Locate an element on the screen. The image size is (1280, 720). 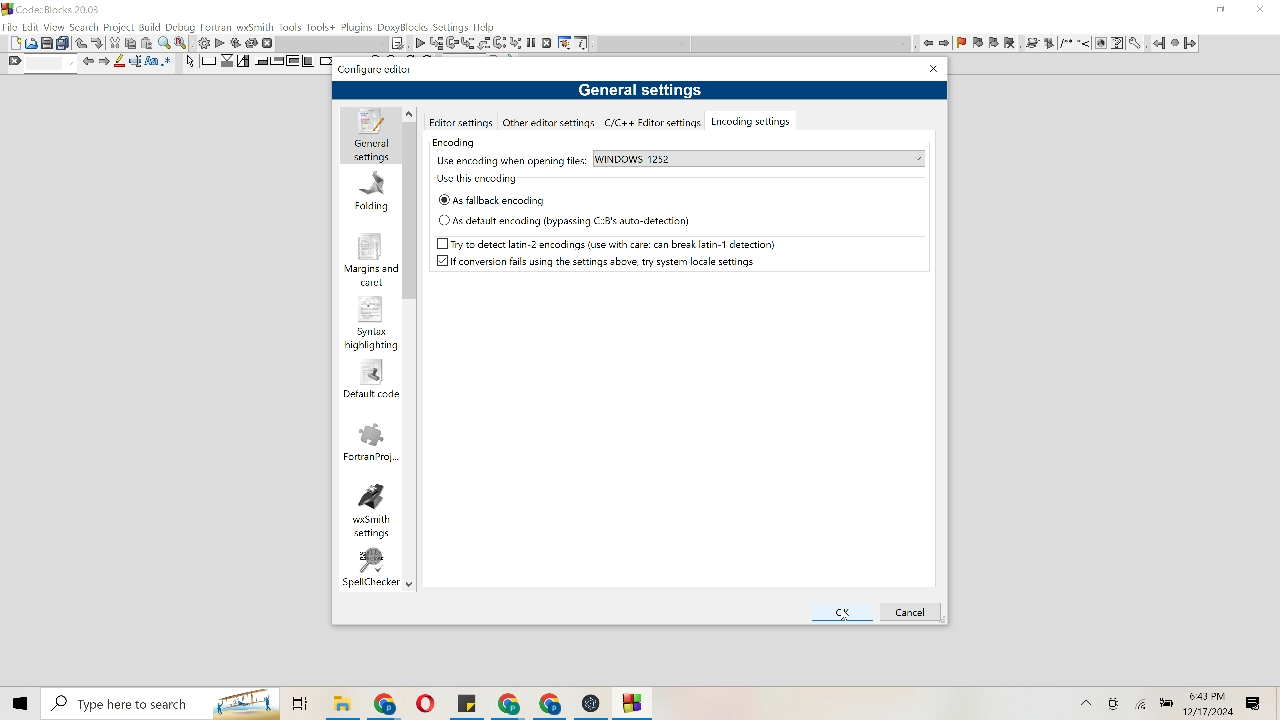
Encoding settings is located at coordinates (755, 120).